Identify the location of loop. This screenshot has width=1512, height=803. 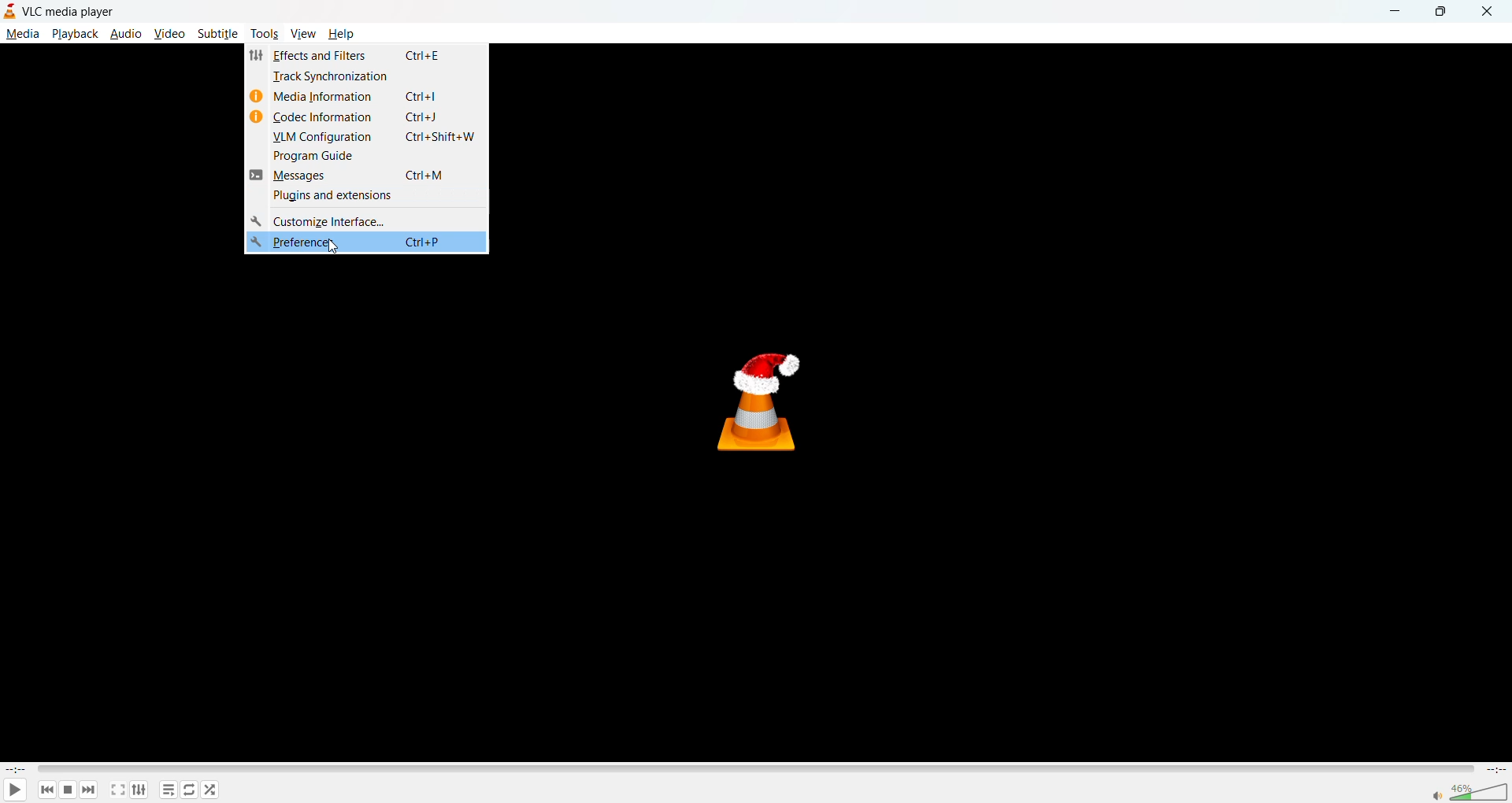
(190, 790).